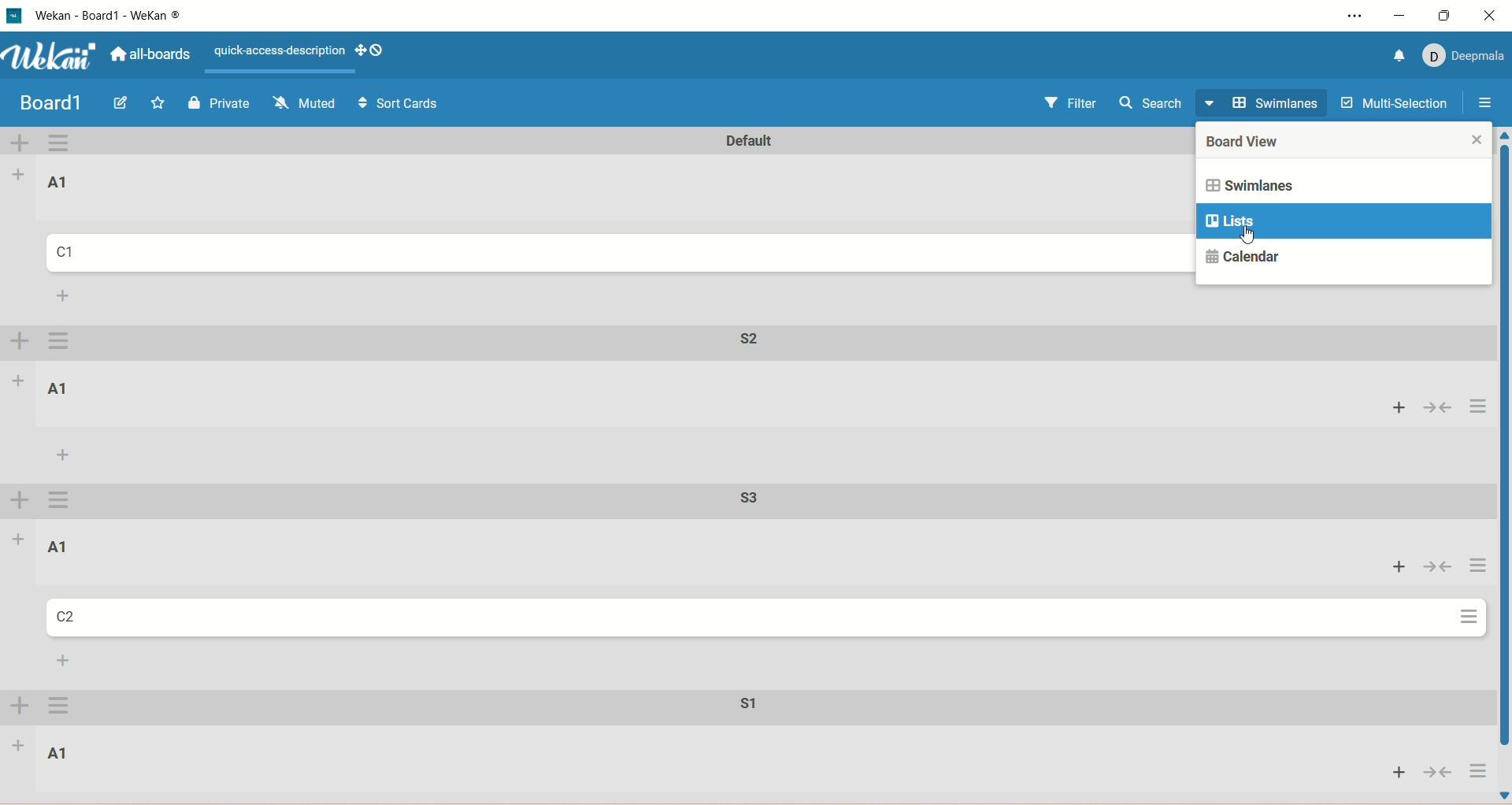  What do you see at coordinates (1243, 254) in the screenshot?
I see `calendar` at bounding box center [1243, 254].